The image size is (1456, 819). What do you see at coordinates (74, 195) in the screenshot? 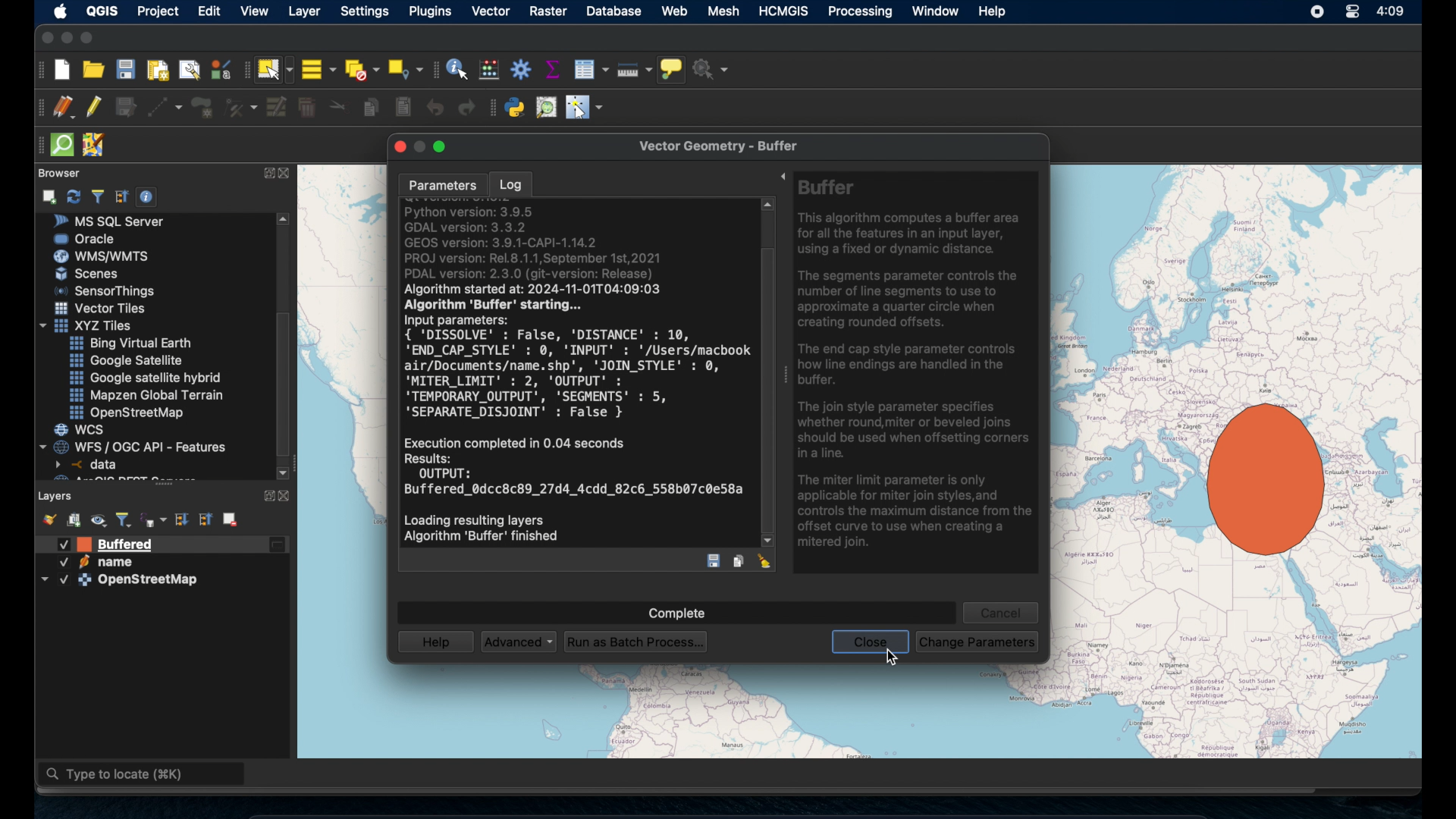
I see `refresh` at bounding box center [74, 195].